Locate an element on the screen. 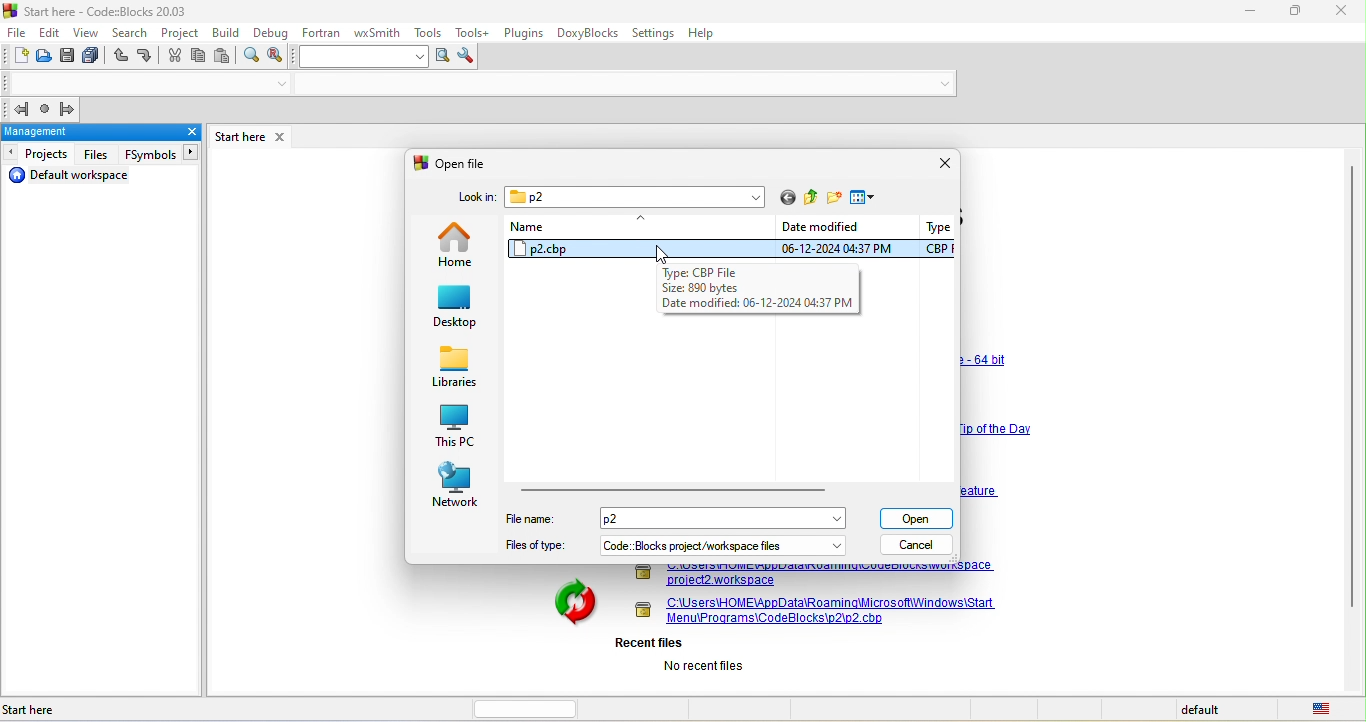  last jump is located at coordinates (48, 109).